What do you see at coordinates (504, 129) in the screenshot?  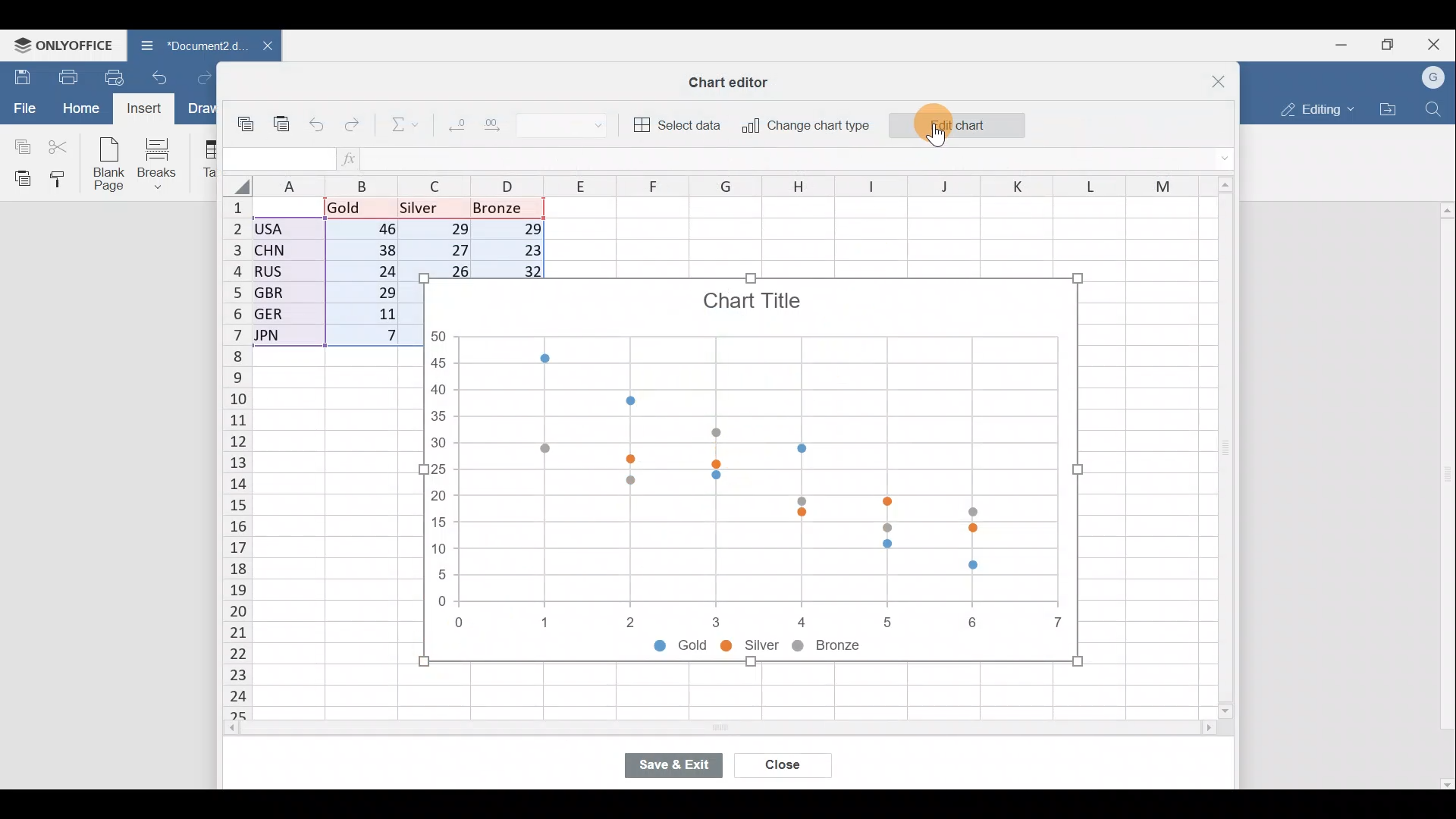 I see `Increase decimal` at bounding box center [504, 129].